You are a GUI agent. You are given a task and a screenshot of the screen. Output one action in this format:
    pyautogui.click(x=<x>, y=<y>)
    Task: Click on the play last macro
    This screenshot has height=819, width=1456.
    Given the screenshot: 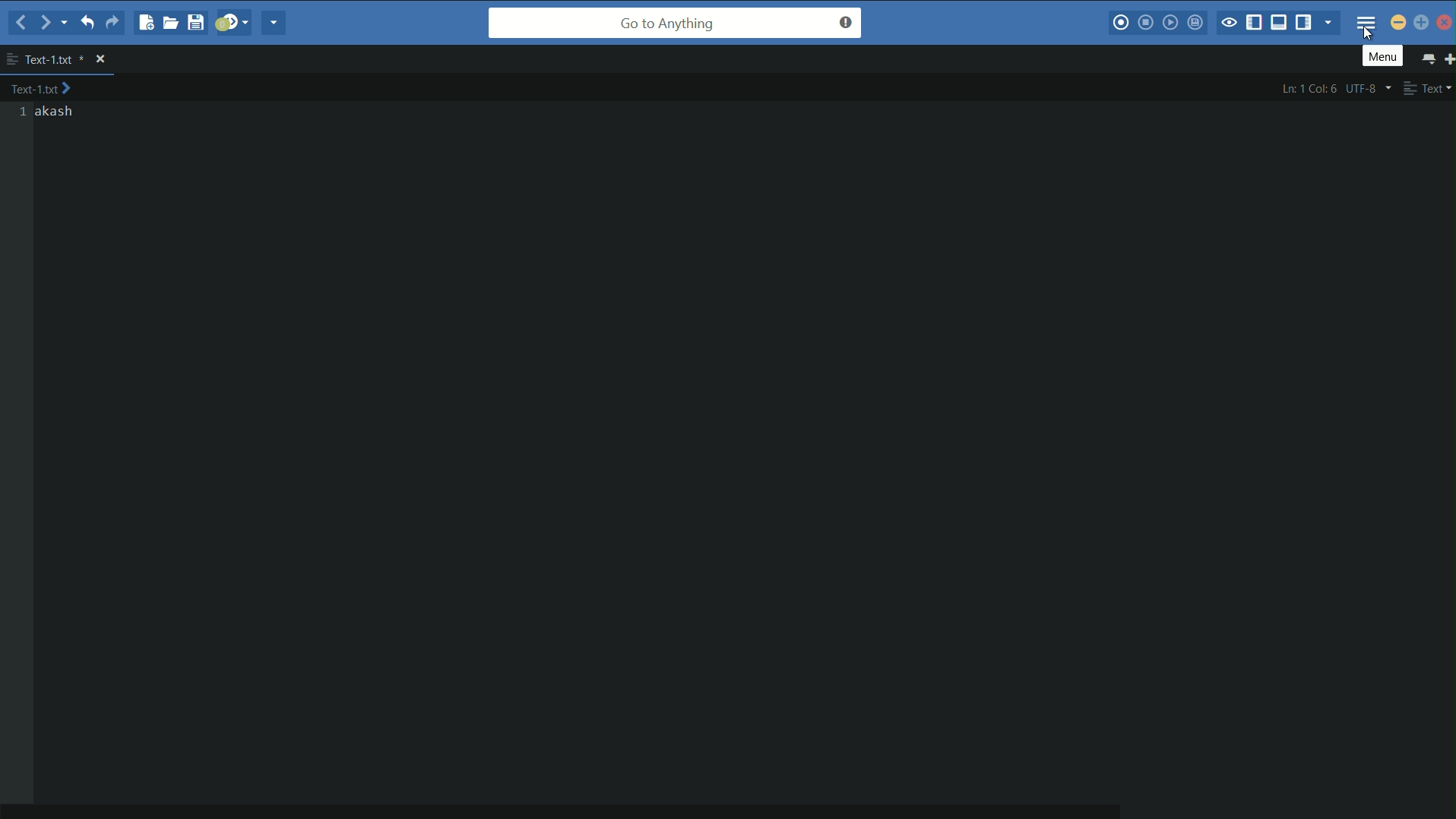 What is the action you would take?
    pyautogui.click(x=1173, y=22)
    